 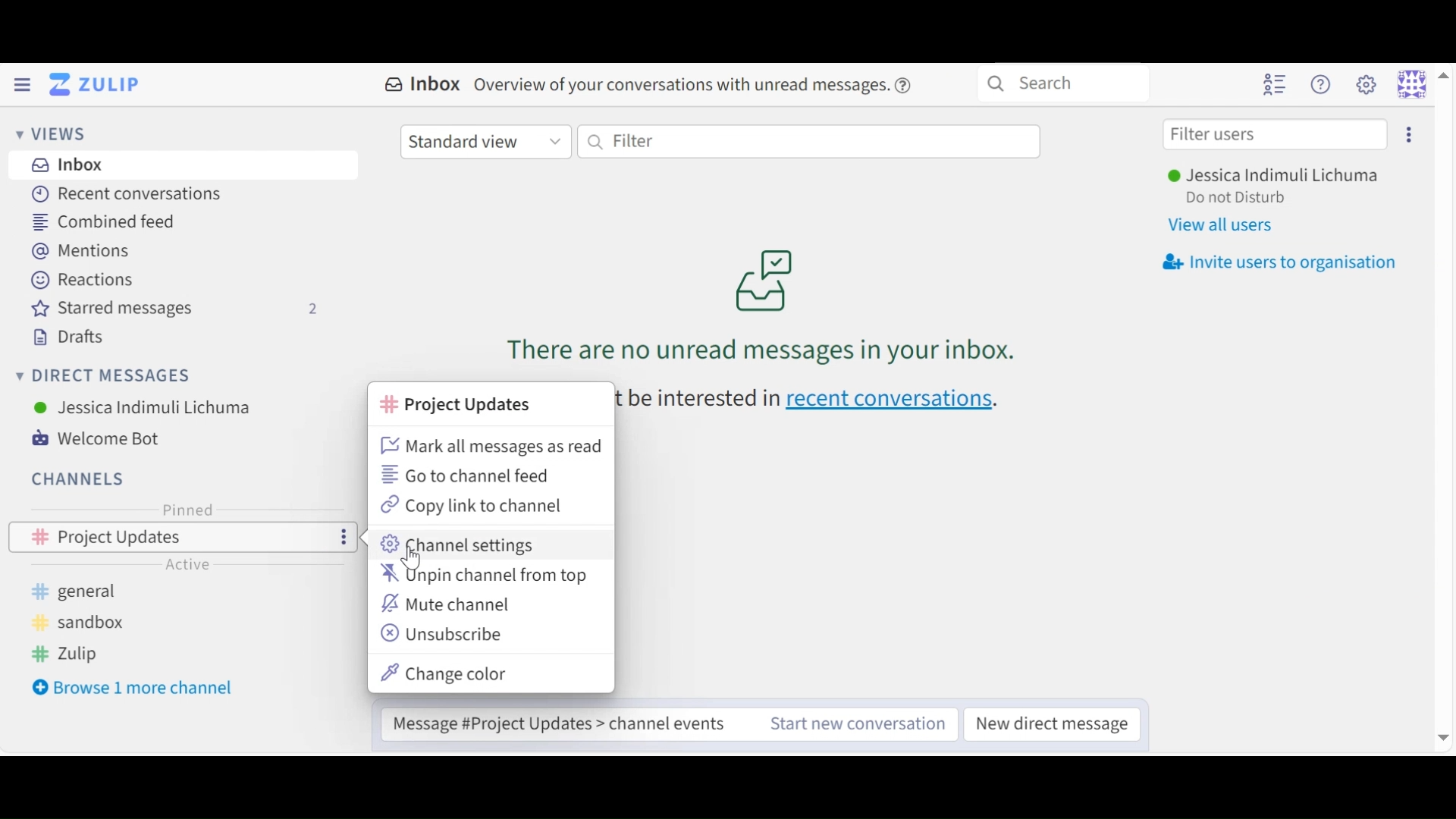 What do you see at coordinates (95, 440) in the screenshot?
I see `Welcome Bot` at bounding box center [95, 440].